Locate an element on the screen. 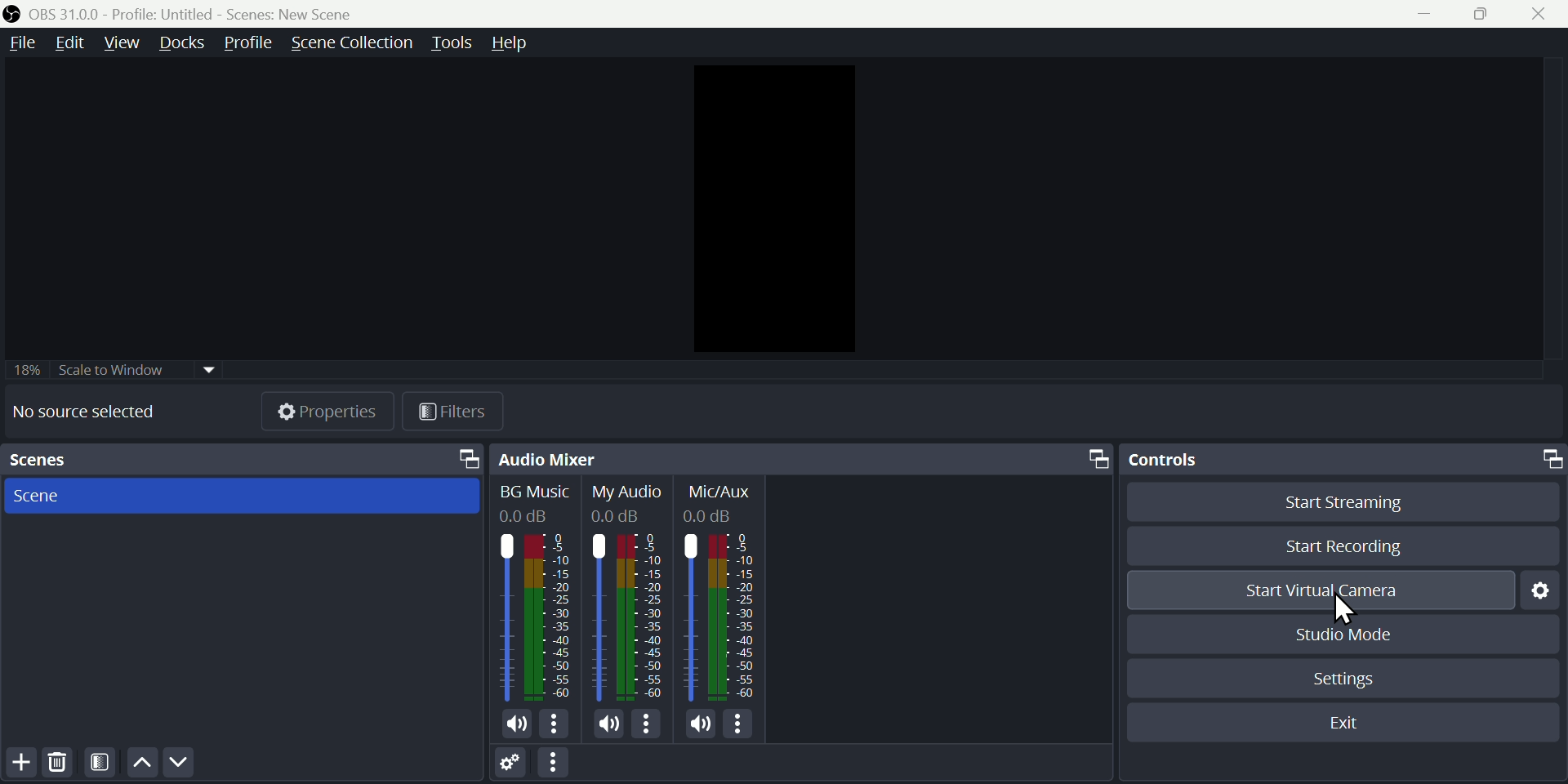 The width and height of the screenshot is (1568, 784). Start virtual camera is located at coordinates (1322, 589).